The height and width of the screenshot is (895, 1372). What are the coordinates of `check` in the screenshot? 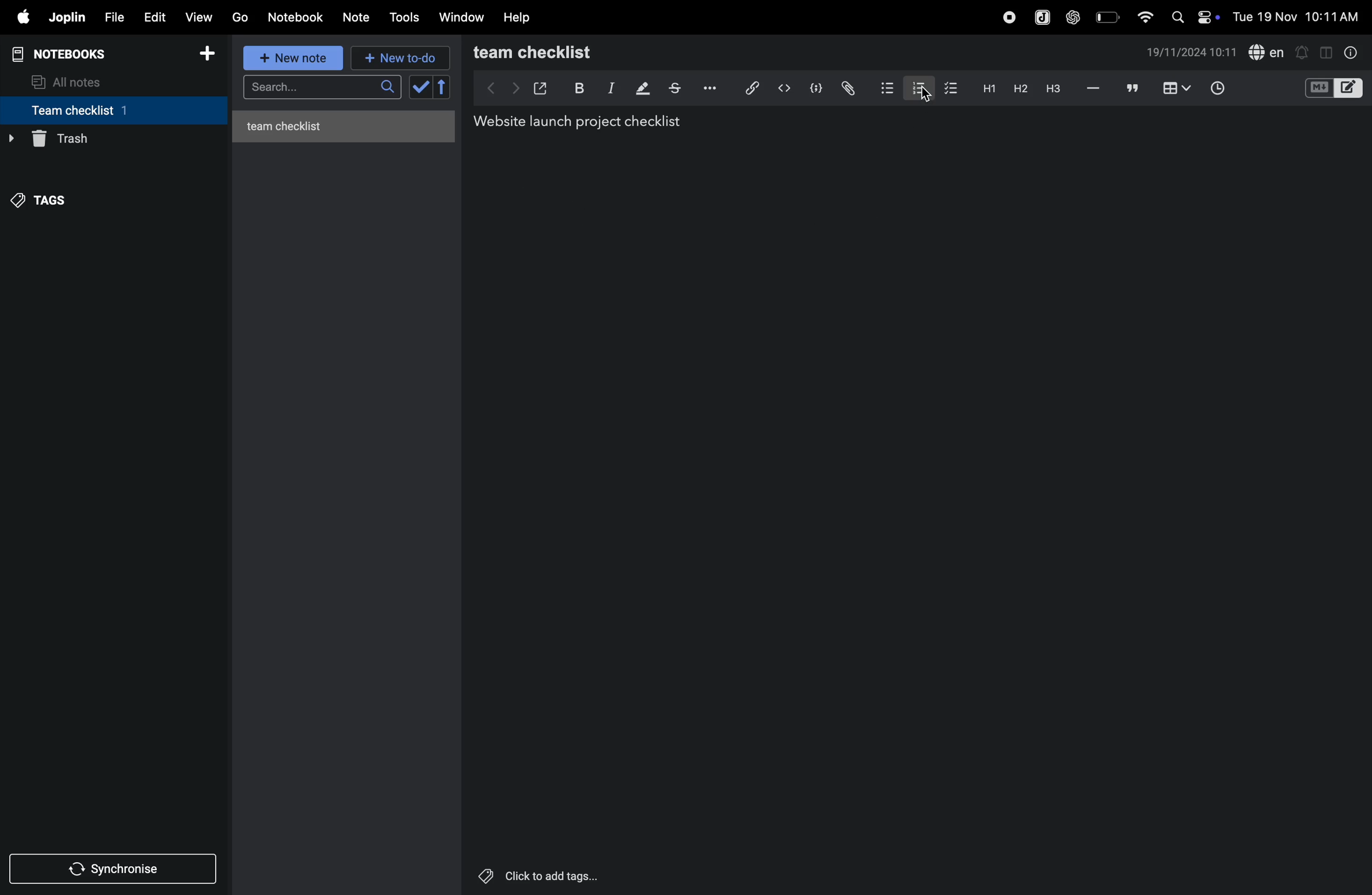 It's located at (431, 88).